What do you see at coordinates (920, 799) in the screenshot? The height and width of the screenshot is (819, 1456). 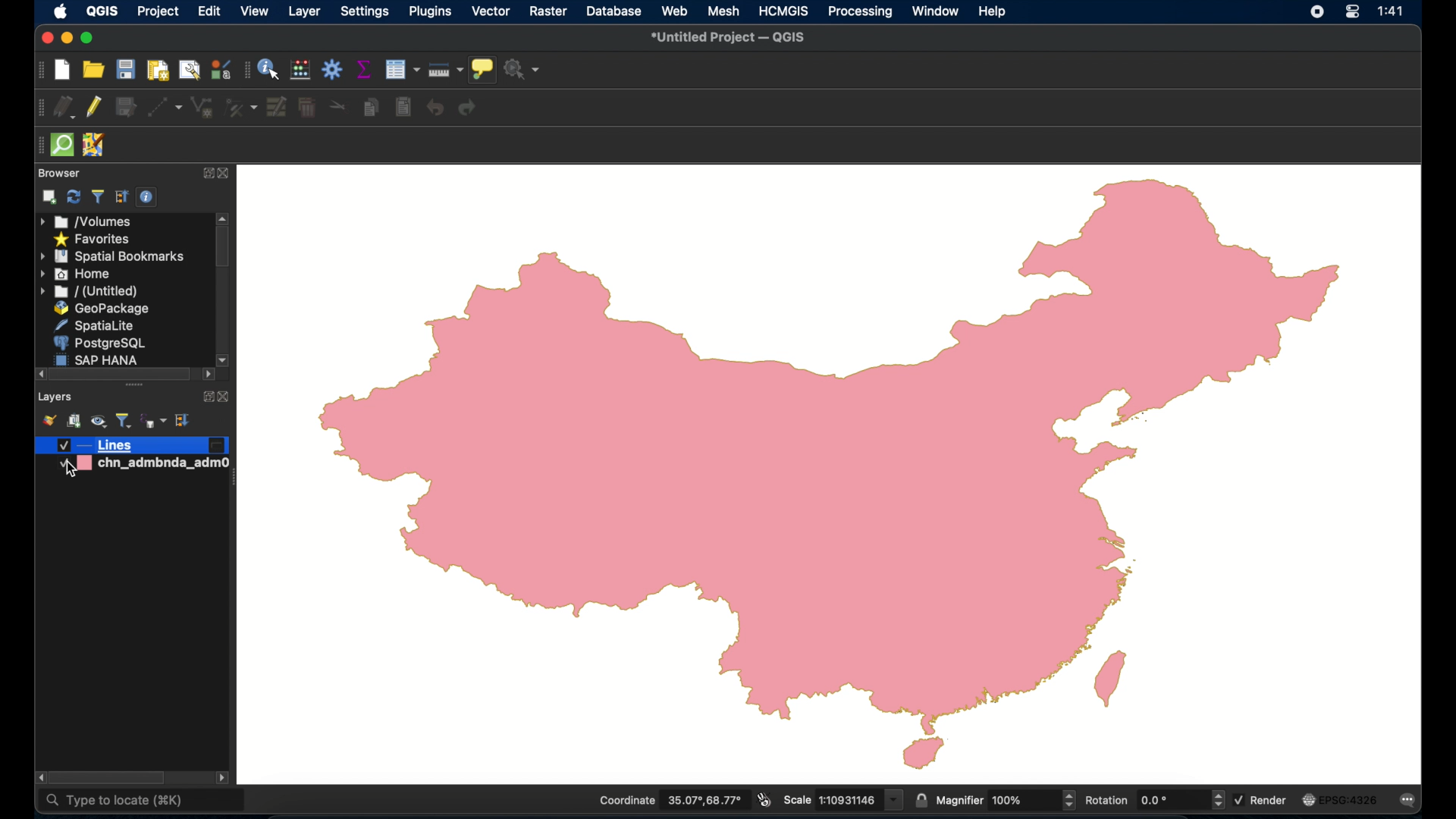 I see `lock scale` at bounding box center [920, 799].